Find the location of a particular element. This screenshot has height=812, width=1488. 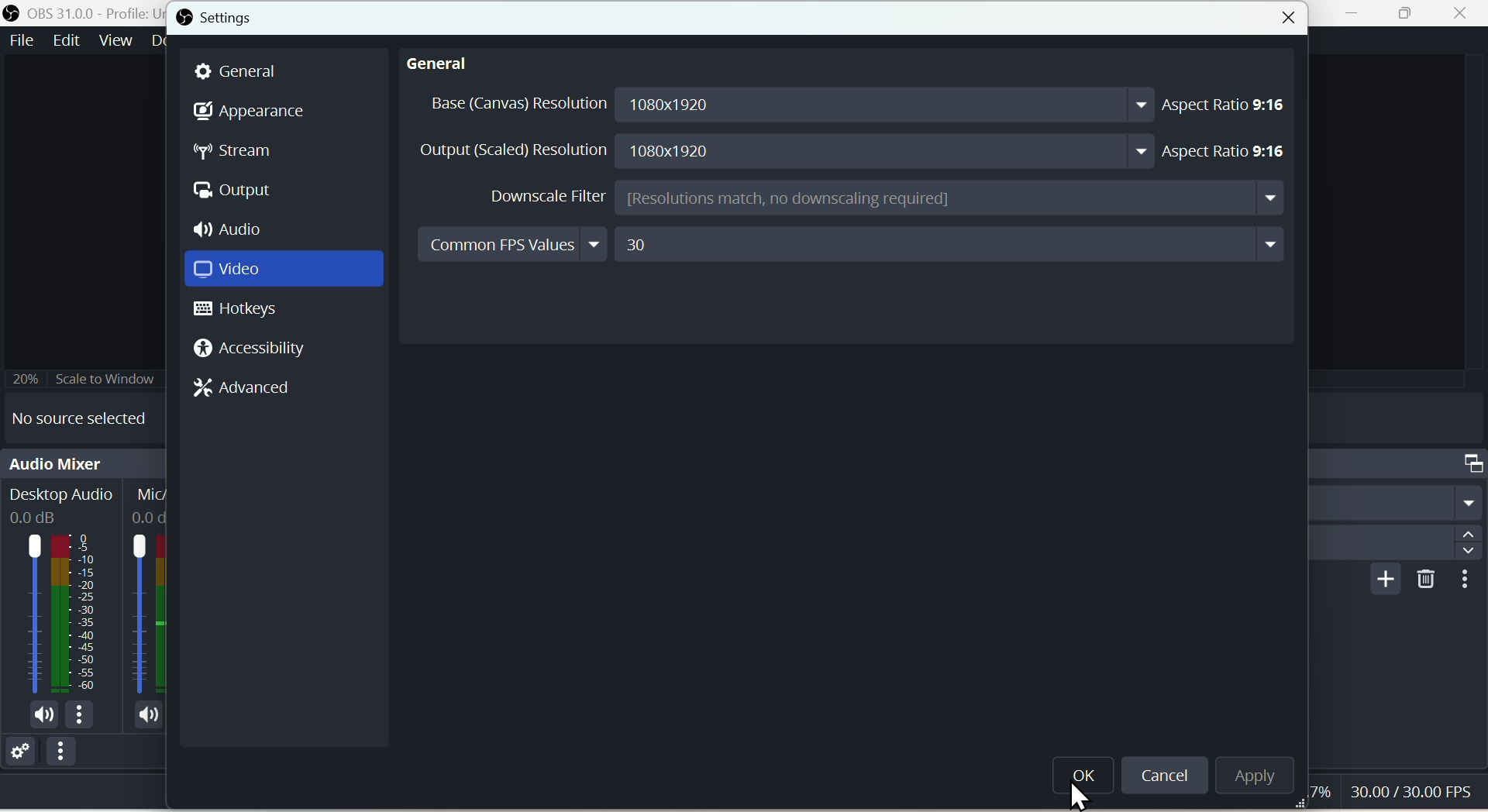

Maximise is located at coordinates (1410, 15).